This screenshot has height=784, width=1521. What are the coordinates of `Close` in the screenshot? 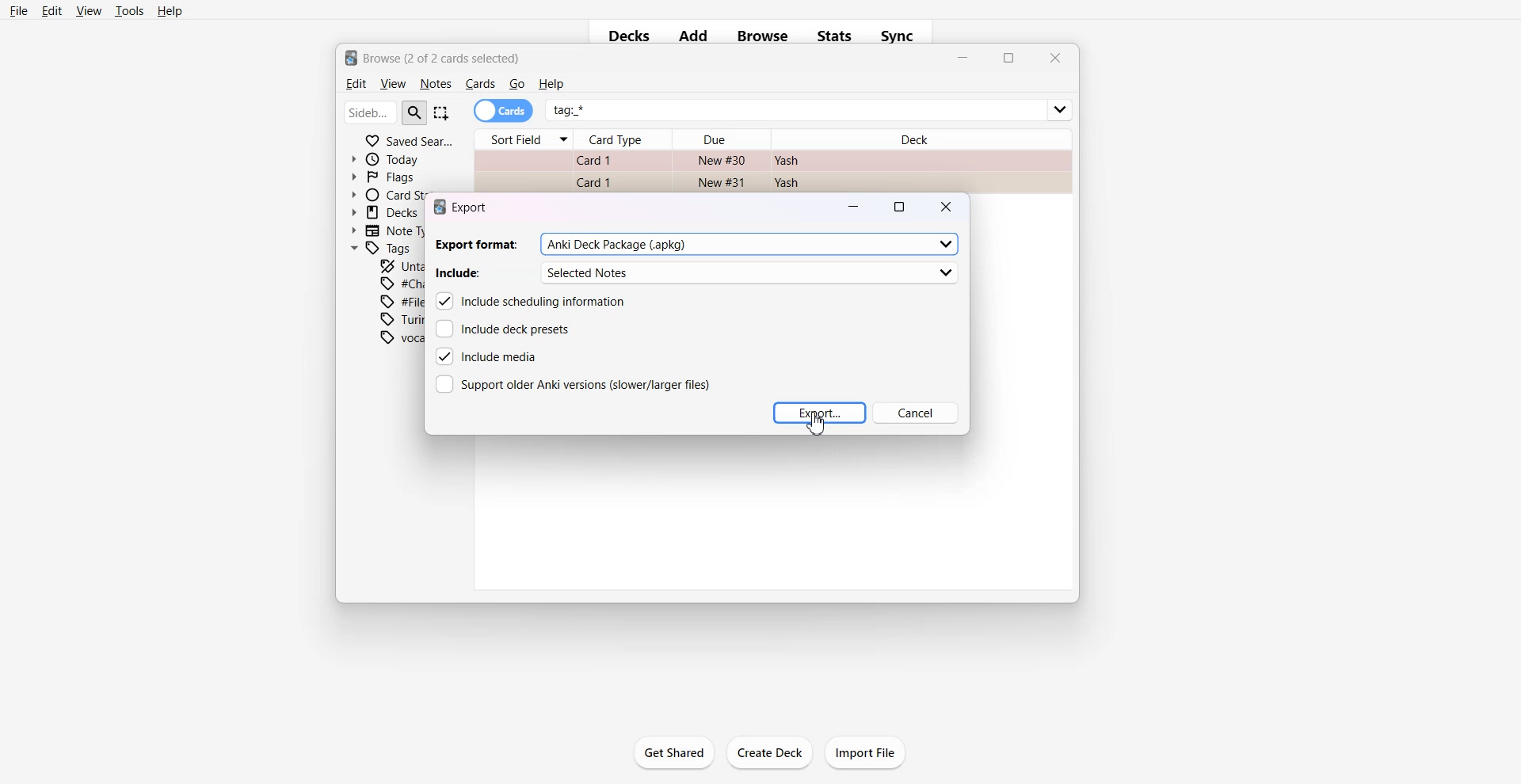 It's located at (1054, 58).